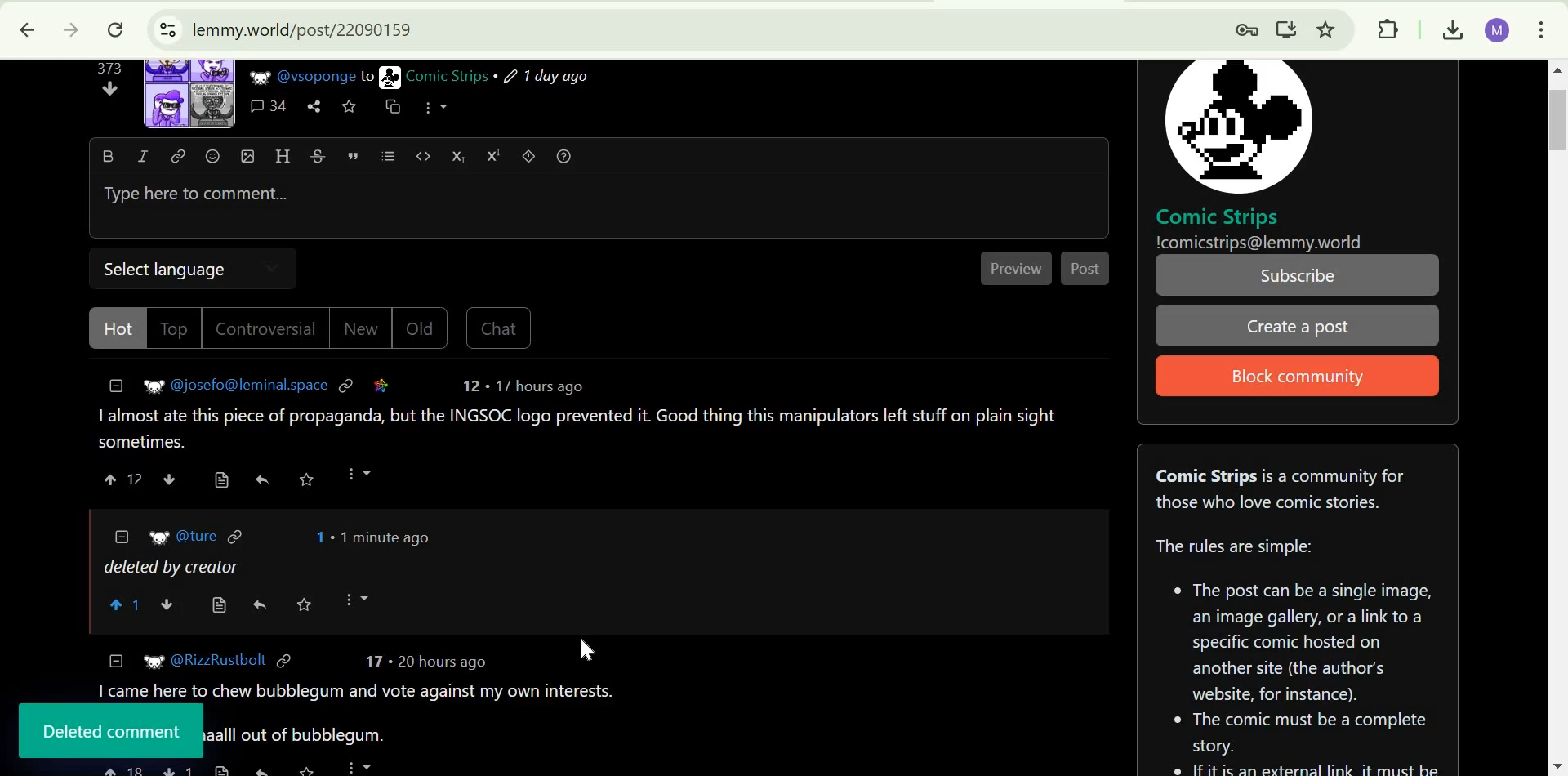 The image size is (1568, 776). I want to click on 12 points, so click(136, 479).